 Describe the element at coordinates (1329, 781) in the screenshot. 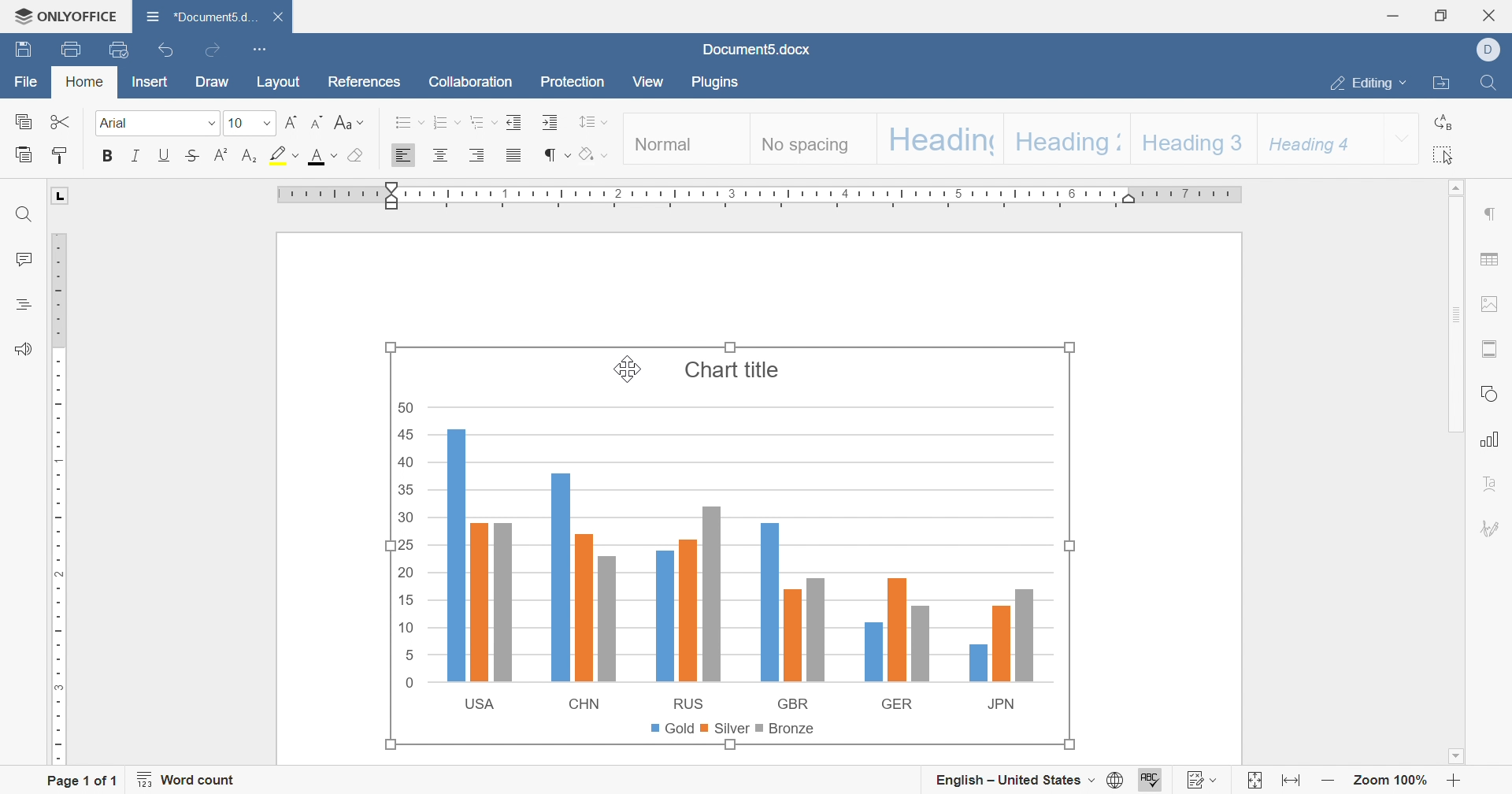

I see `zoom out` at that location.